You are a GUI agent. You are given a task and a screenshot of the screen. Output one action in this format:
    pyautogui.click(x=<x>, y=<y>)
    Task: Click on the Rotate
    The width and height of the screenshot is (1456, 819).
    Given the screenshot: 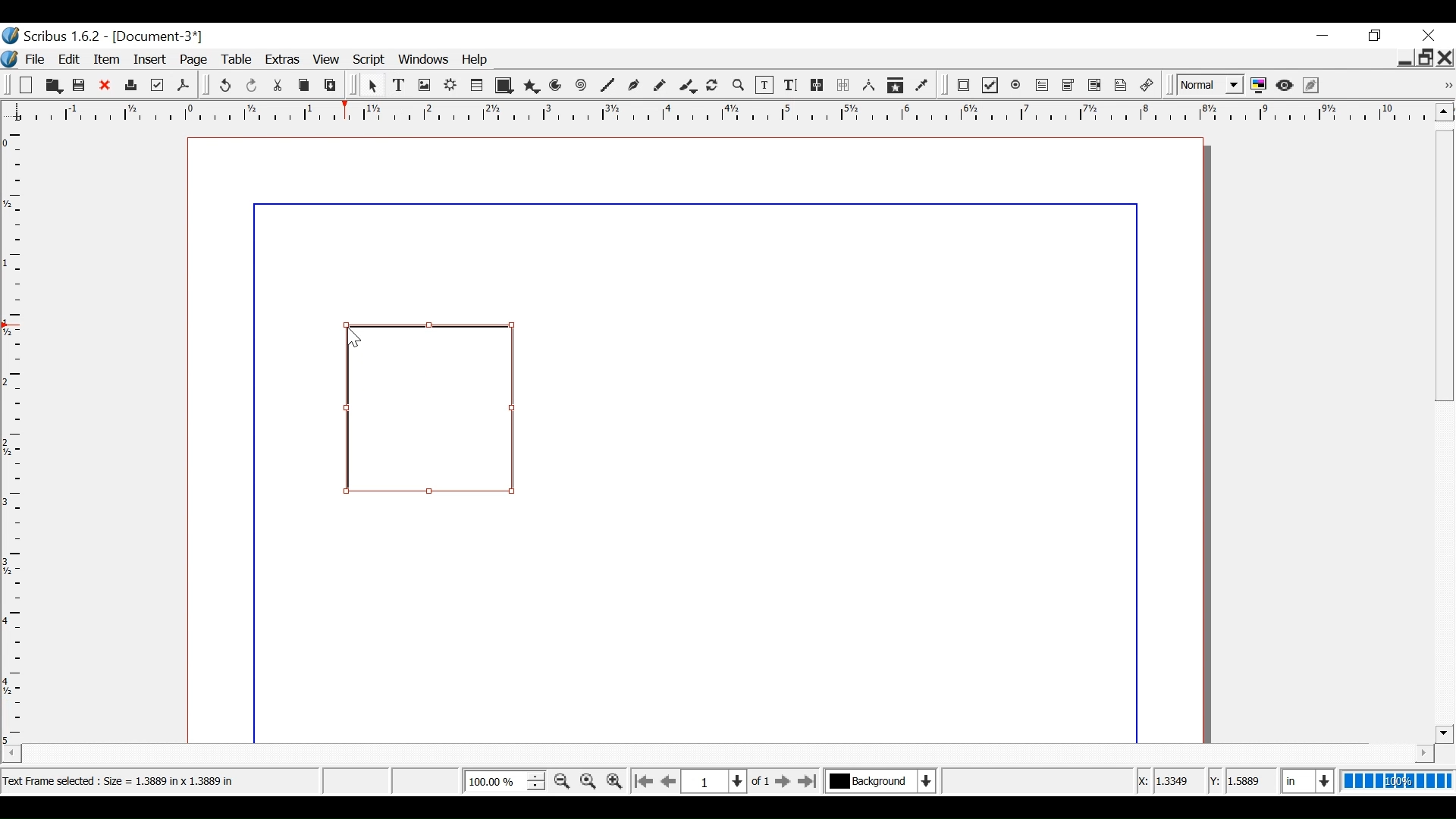 What is the action you would take?
    pyautogui.click(x=713, y=86)
    